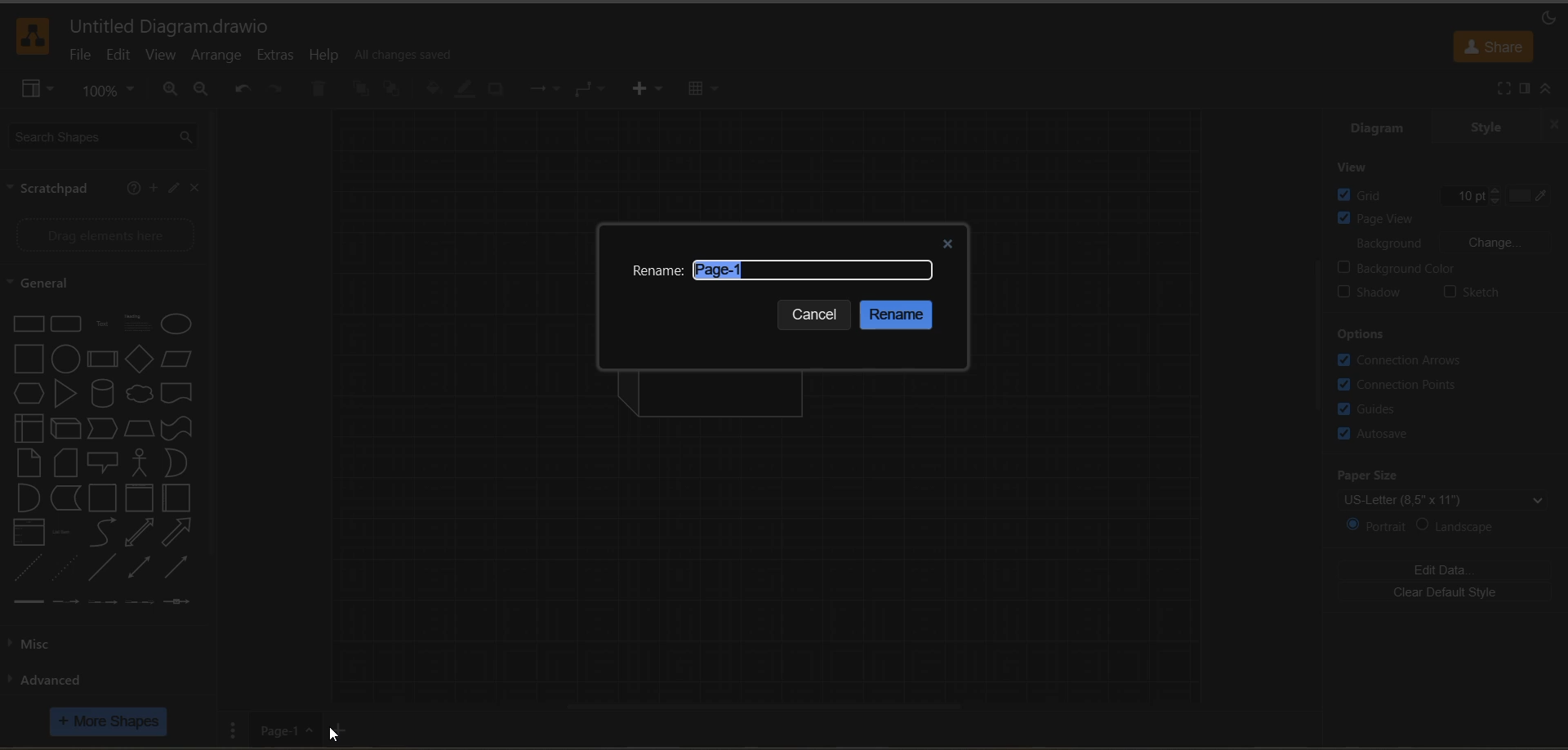 This screenshot has width=1568, height=750. Describe the element at coordinates (655, 90) in the screenshot. I see `insert` at that location.